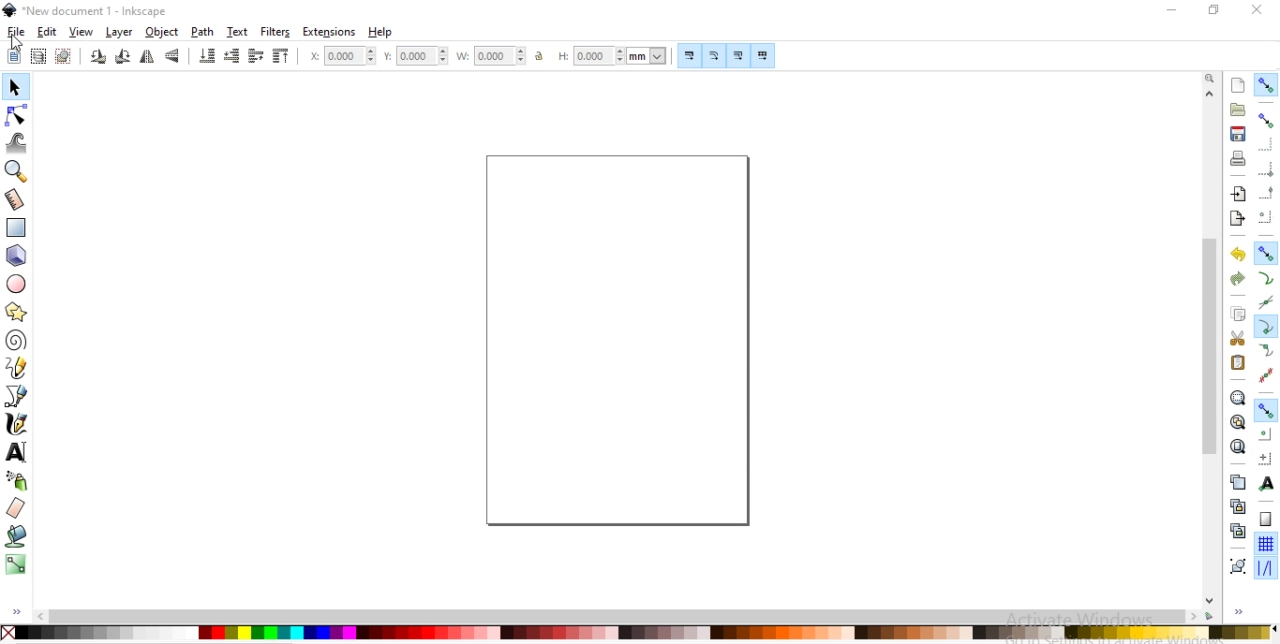  What do you see at coordinates (99, 58) in the screenshot?
I see `rotate 90 clockwise` at bounding box center [99, 58].